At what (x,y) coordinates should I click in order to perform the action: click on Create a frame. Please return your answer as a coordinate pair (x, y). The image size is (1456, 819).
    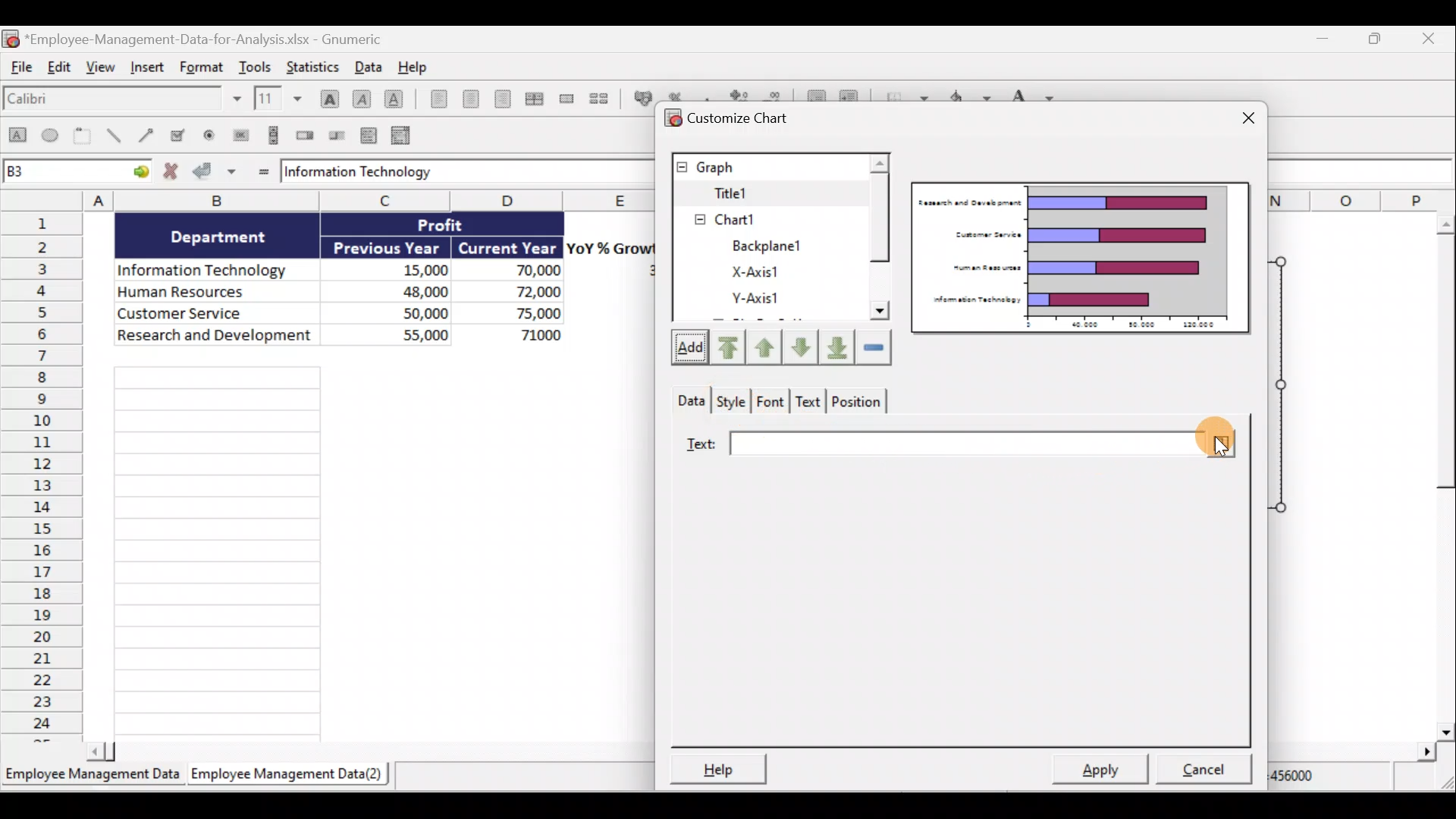
    Looking at the image, I should click on (86, 137).